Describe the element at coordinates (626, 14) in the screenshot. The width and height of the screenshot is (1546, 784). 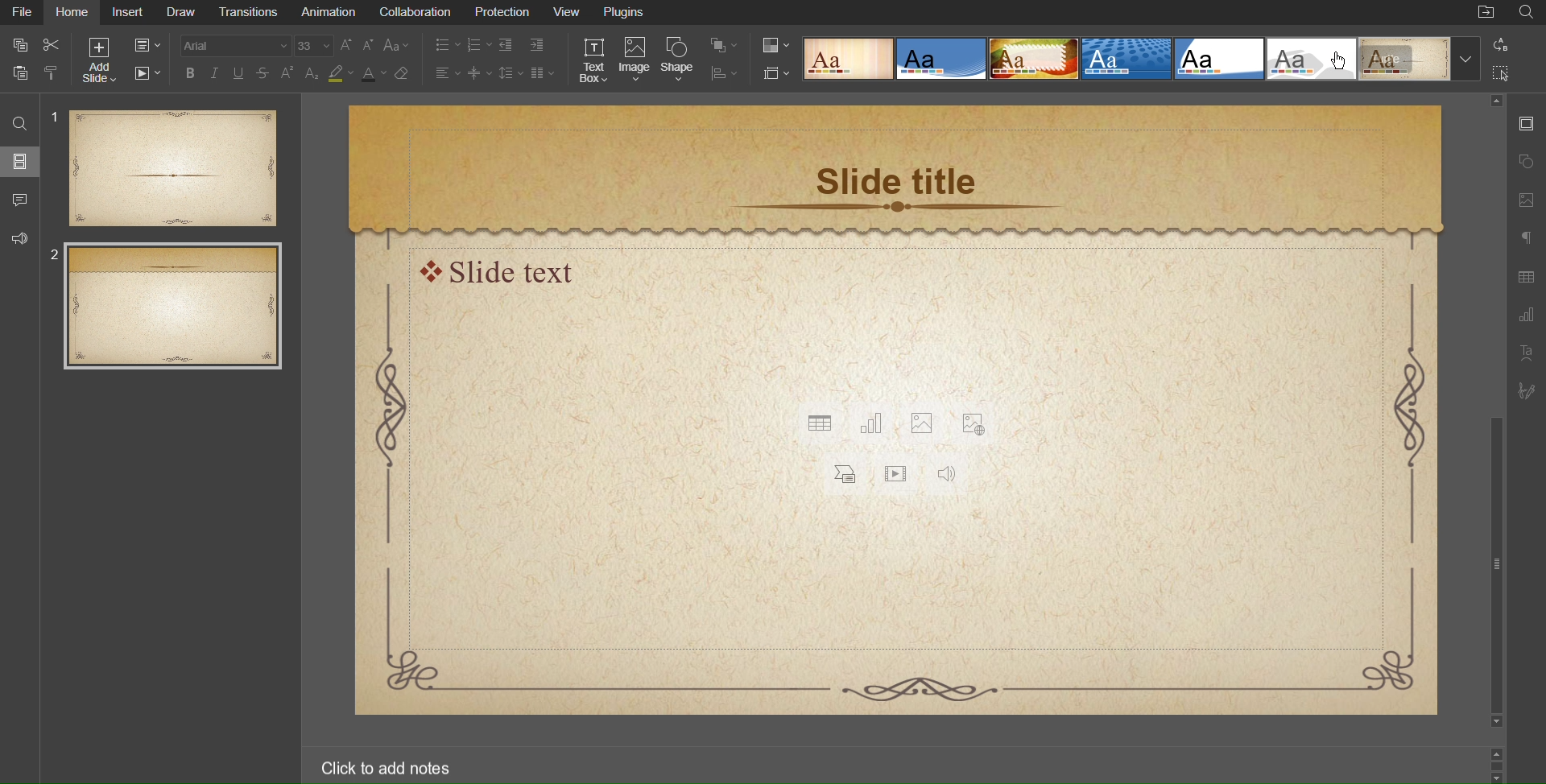
I see `Plugins` at that location.